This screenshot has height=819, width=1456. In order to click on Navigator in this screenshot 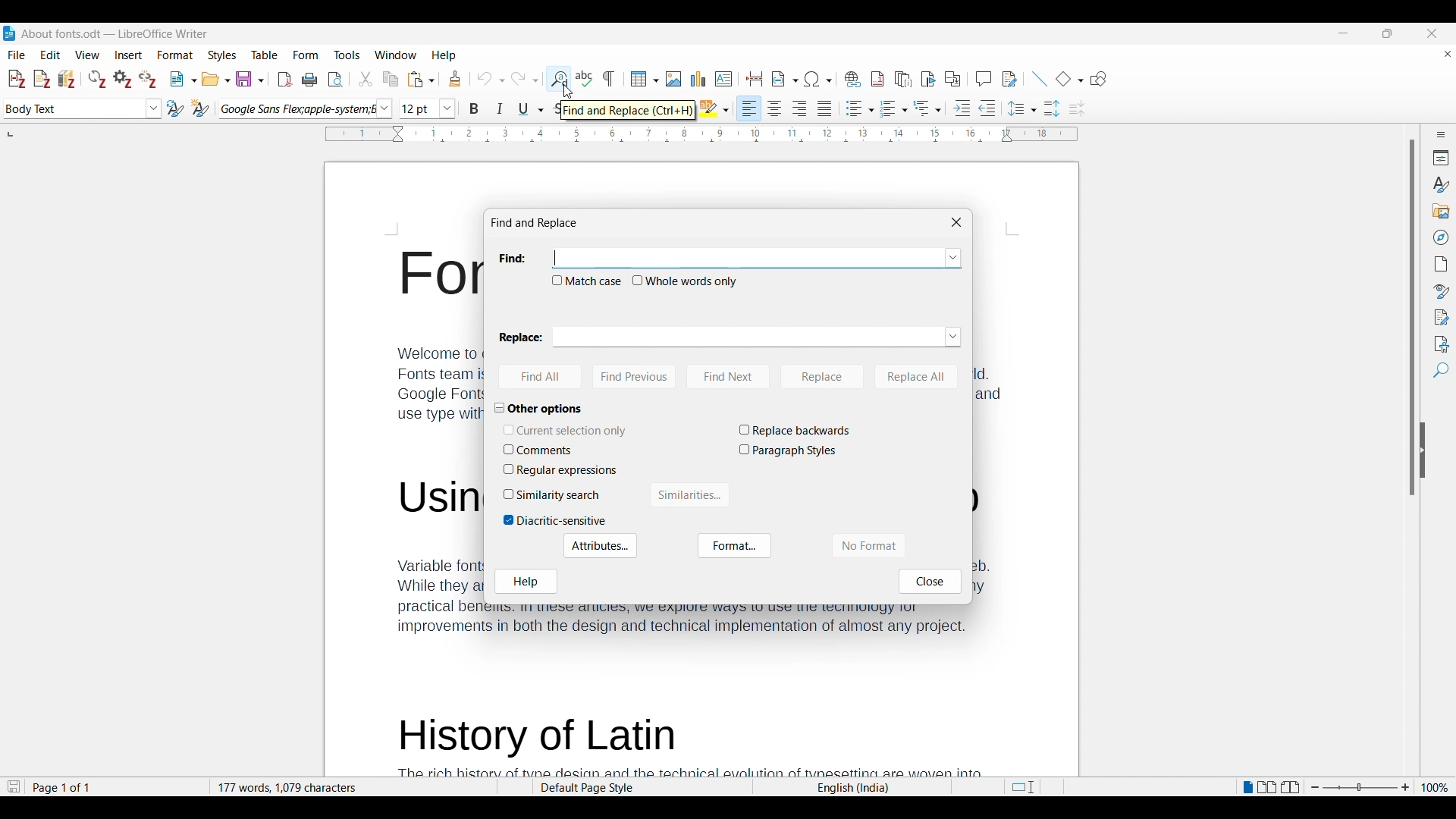, I will do `click(1440, 237)`.